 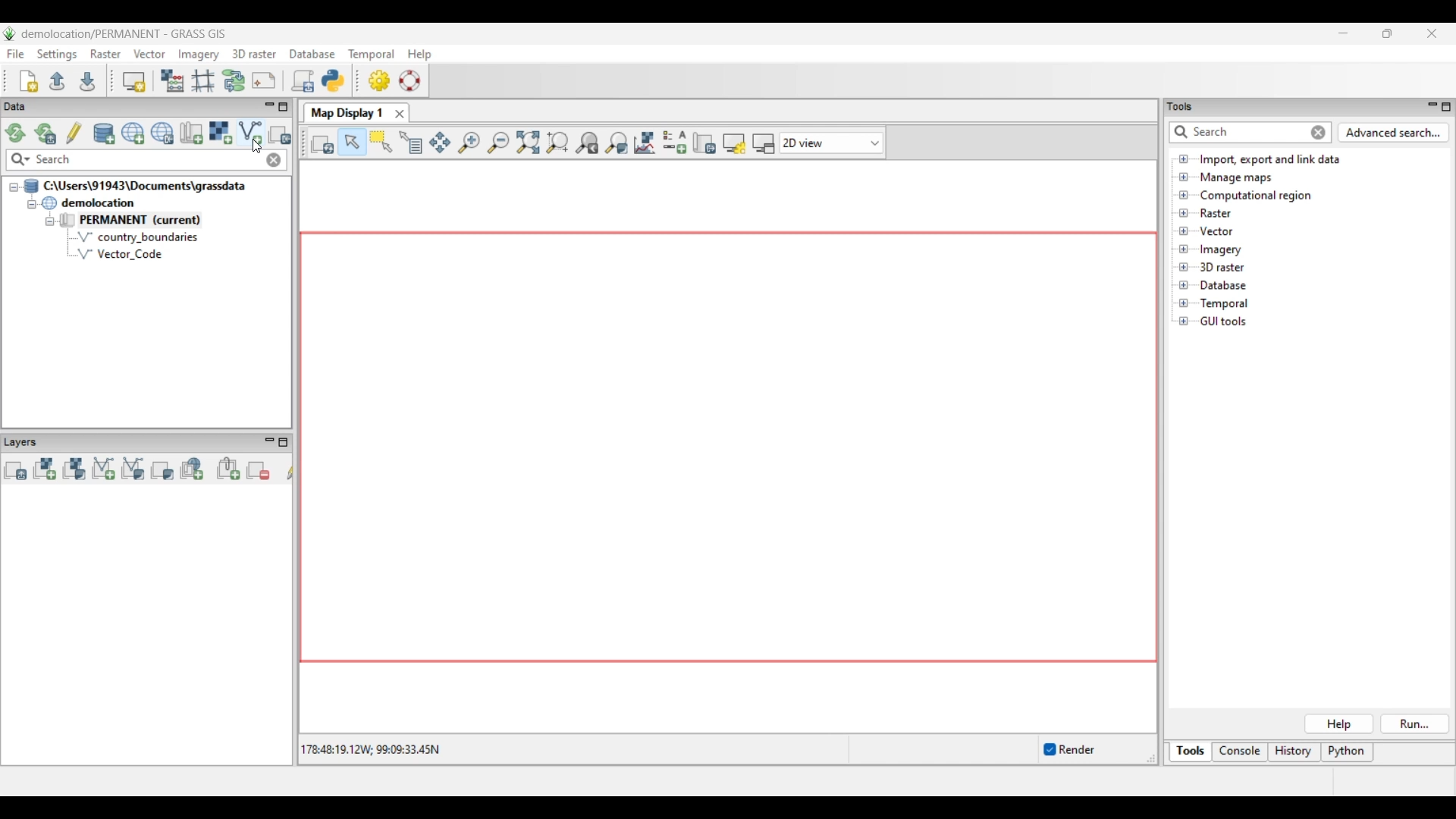 I want to click on Vector menu, so click(x=149, y=54).